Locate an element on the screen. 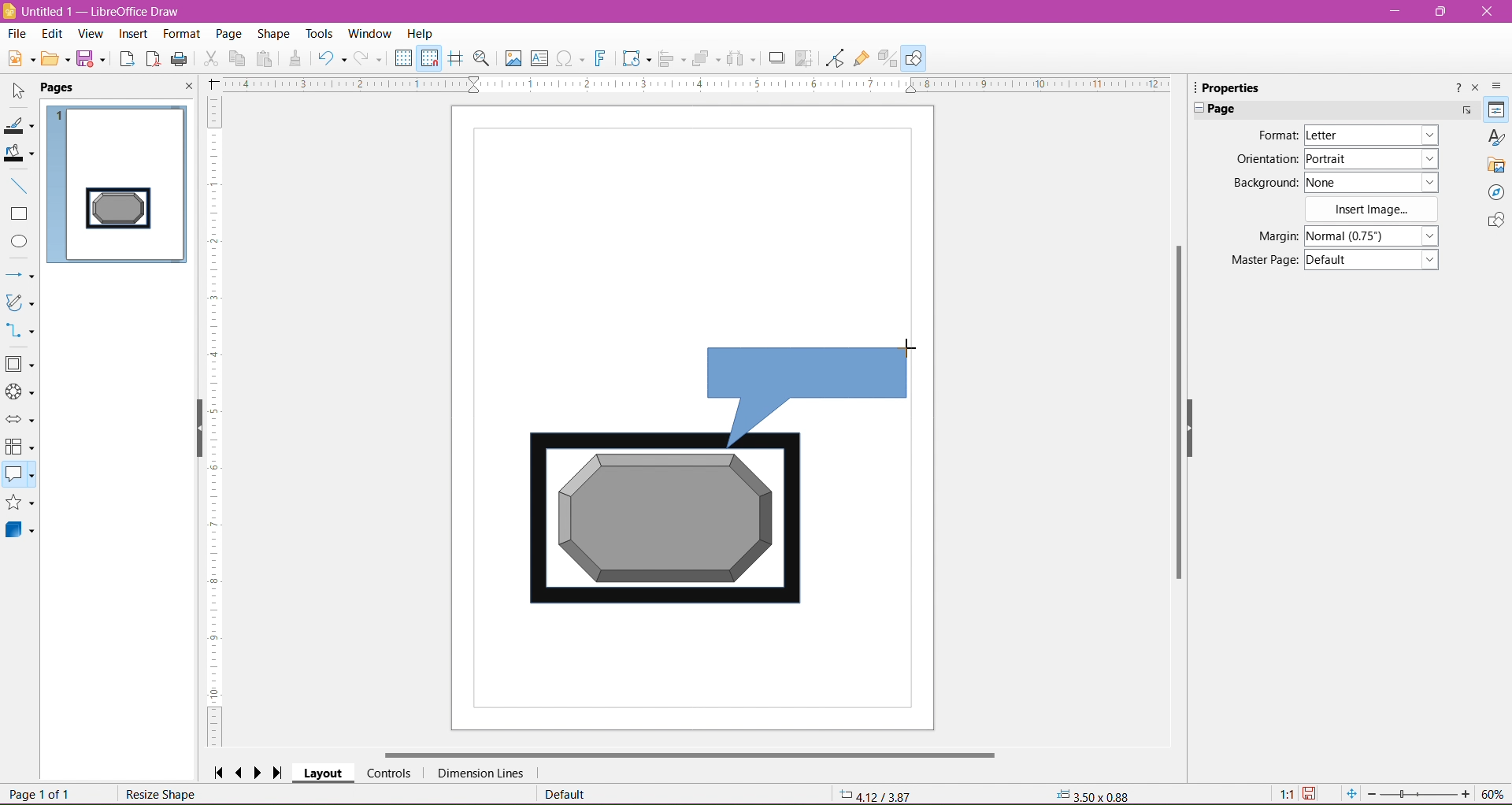  Fit page to current window is located at coordinates (1351, 794).